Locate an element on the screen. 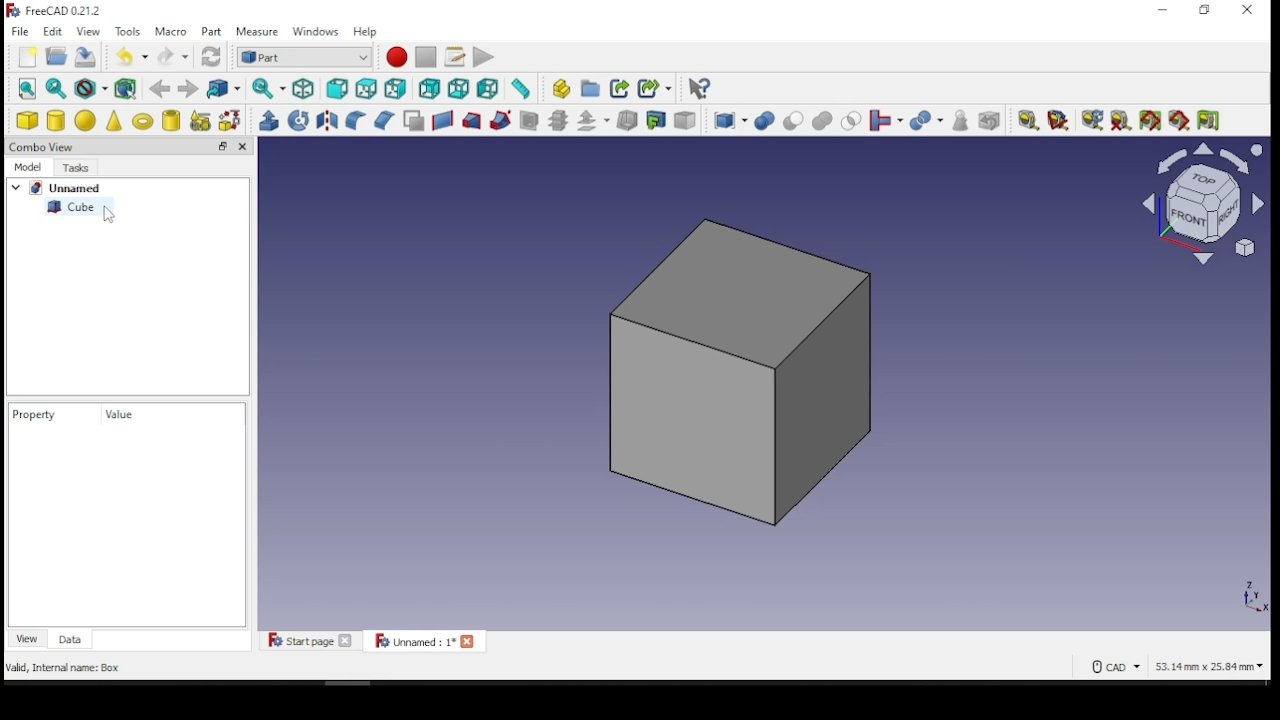 The image size is (1280, 720). fillet is located at coordinates (355, 120).